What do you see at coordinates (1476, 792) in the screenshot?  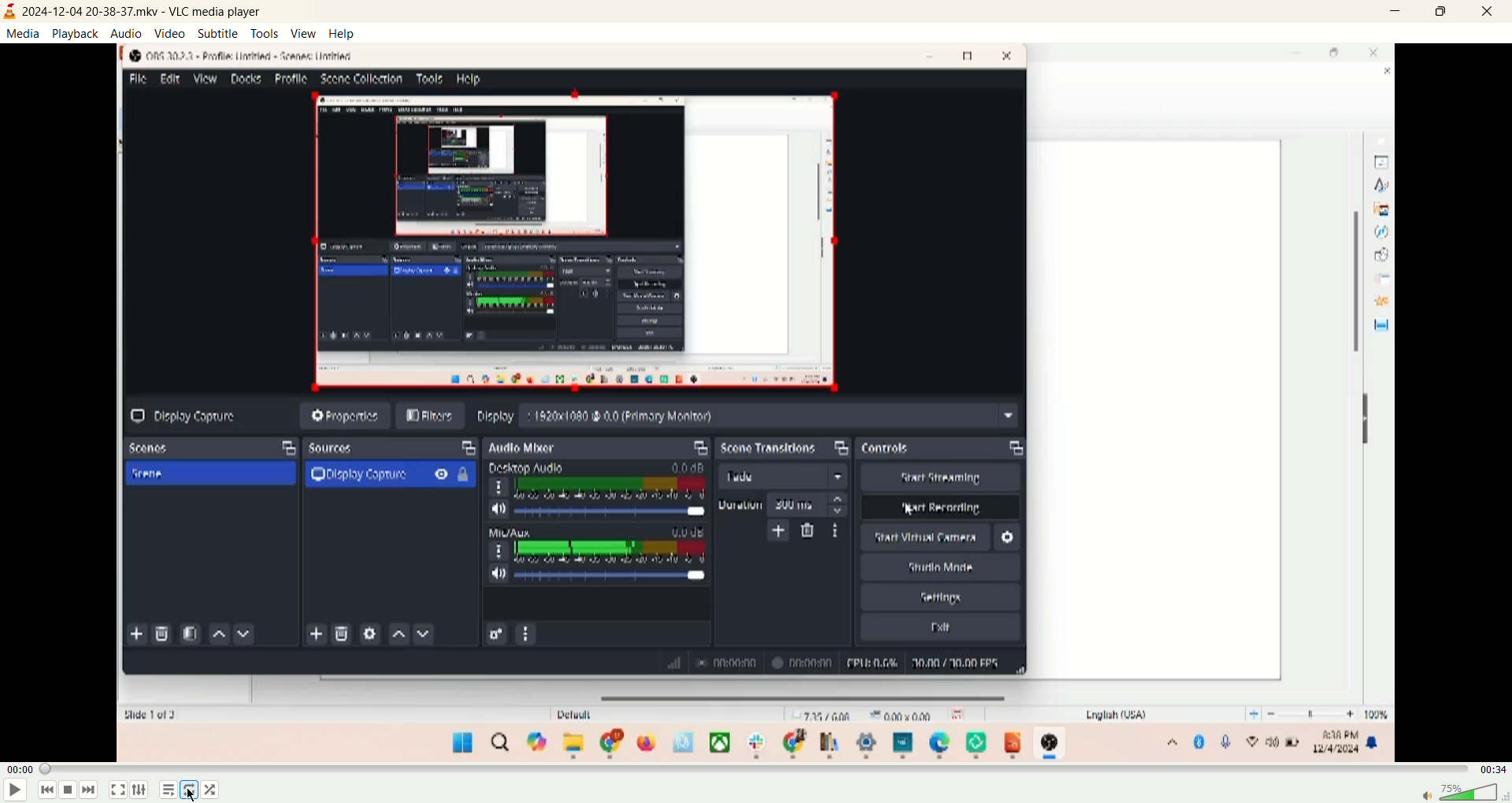 I see `volume bar` at bounding box center [1476, 792].